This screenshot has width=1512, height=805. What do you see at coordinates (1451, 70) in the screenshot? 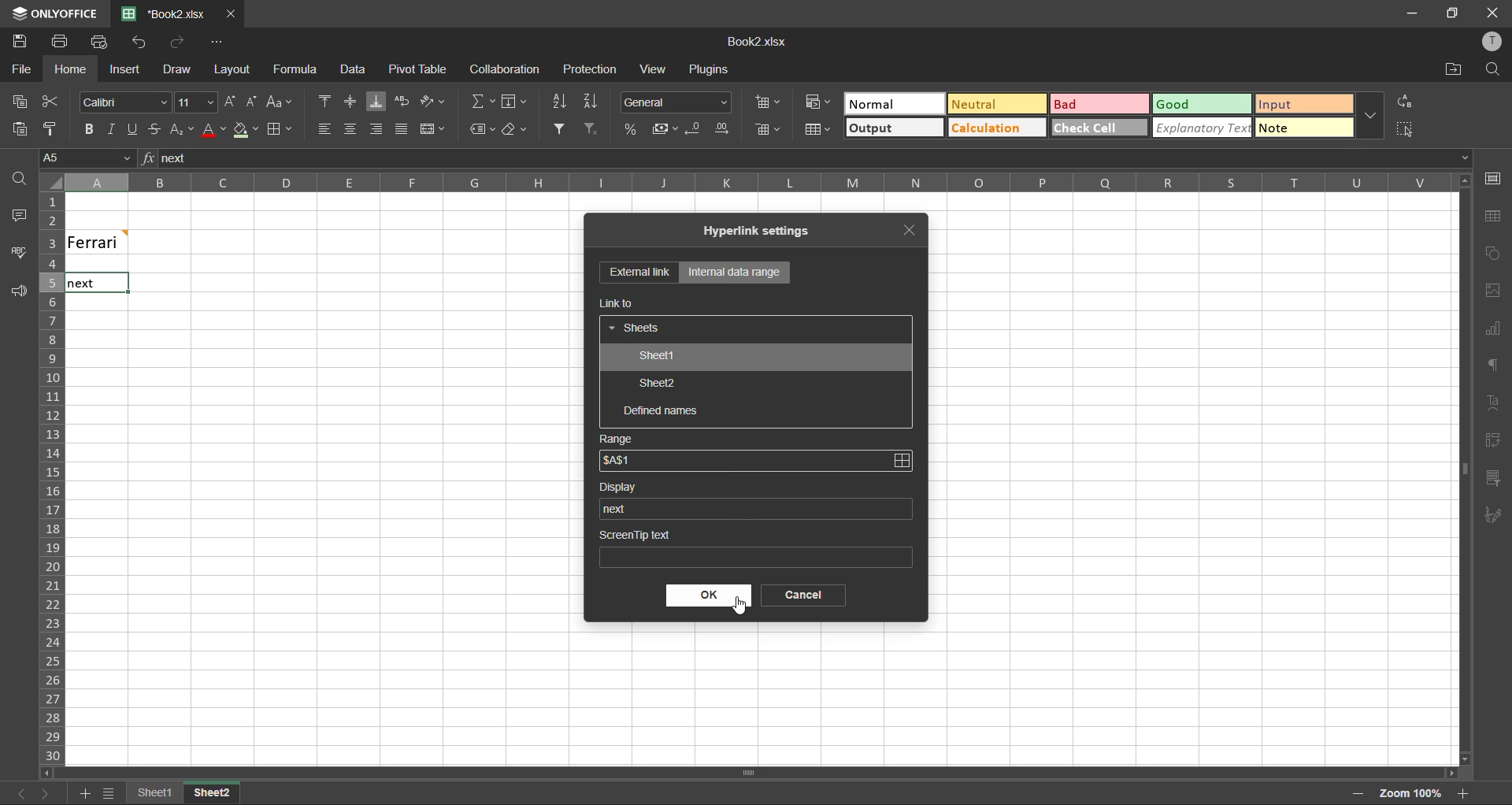
I see `open location` at bounding box center [1451, 70].